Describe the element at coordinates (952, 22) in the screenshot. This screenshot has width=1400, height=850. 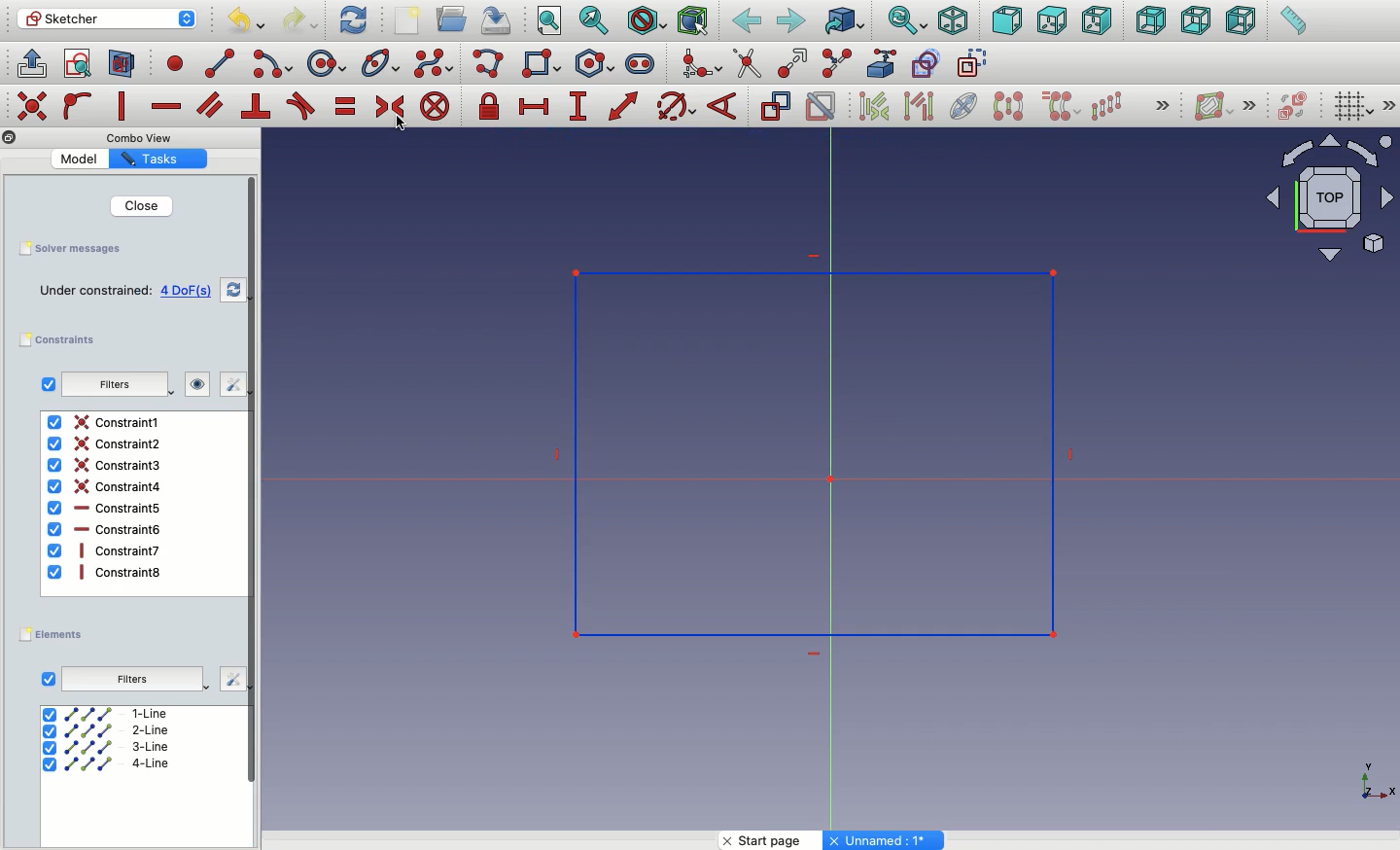
I see `Isometric` at that location.